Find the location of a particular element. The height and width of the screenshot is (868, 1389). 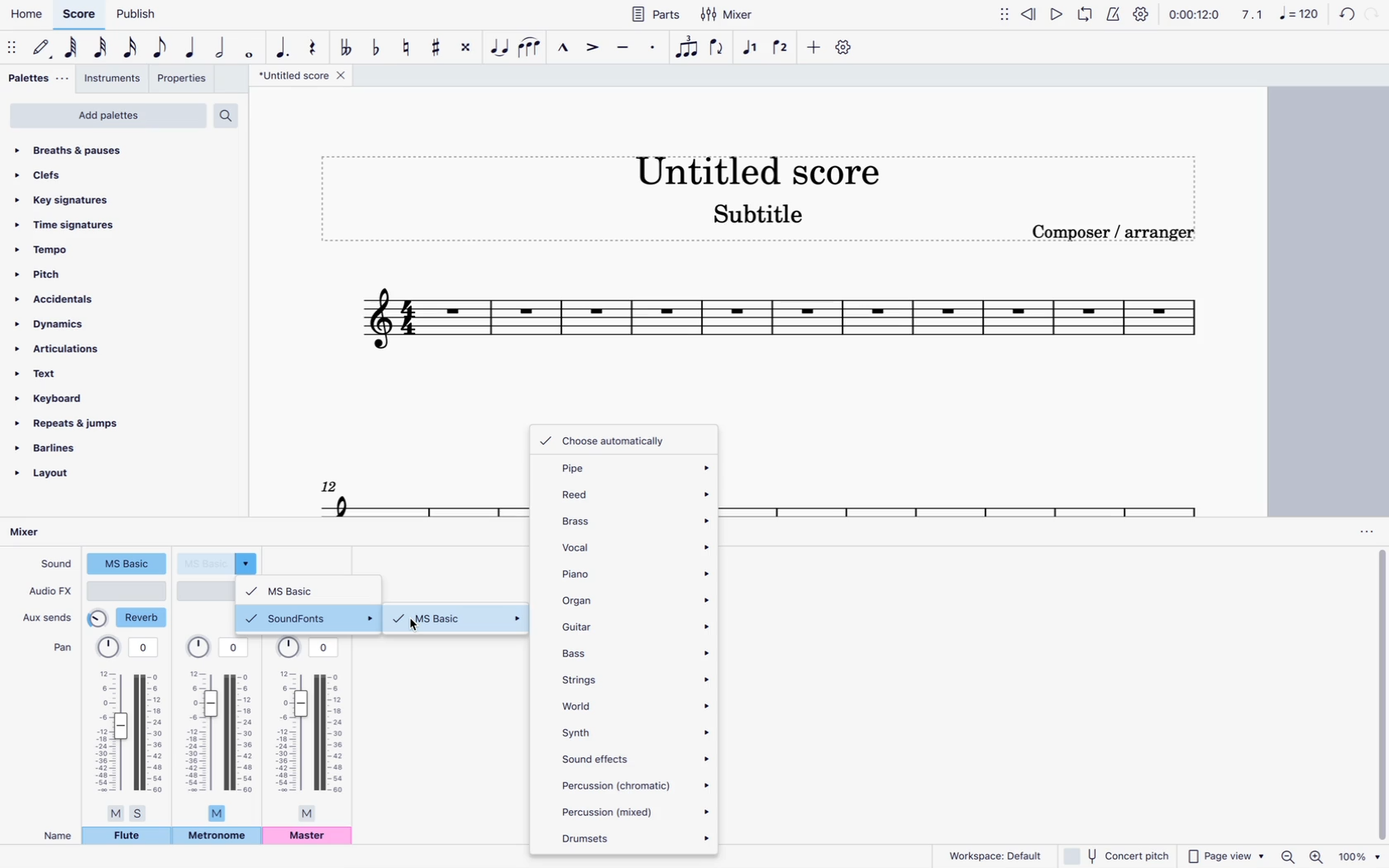

audio type is located at coordinates (128, 591).